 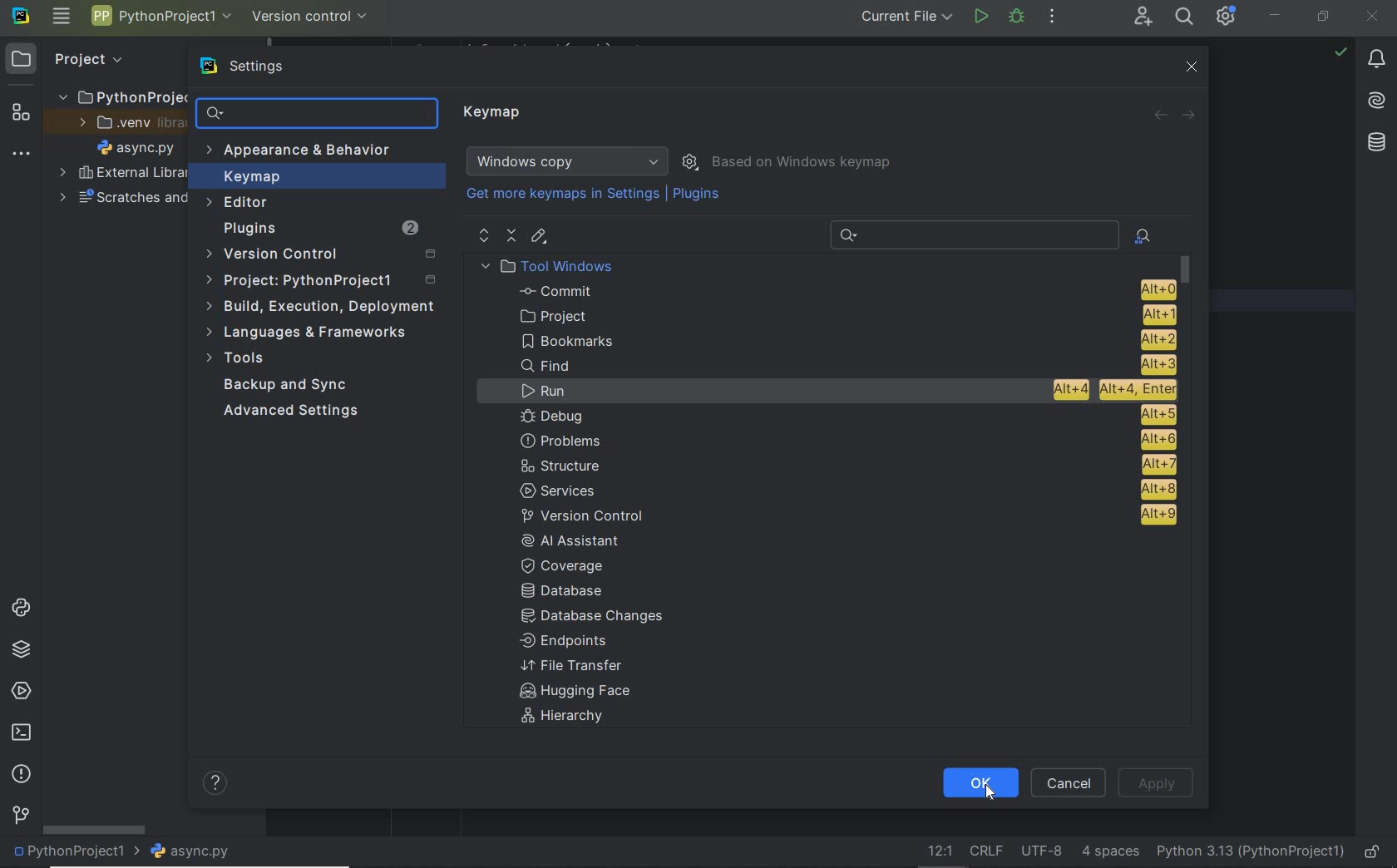 I want to click on services, so click(x=846, y=489).